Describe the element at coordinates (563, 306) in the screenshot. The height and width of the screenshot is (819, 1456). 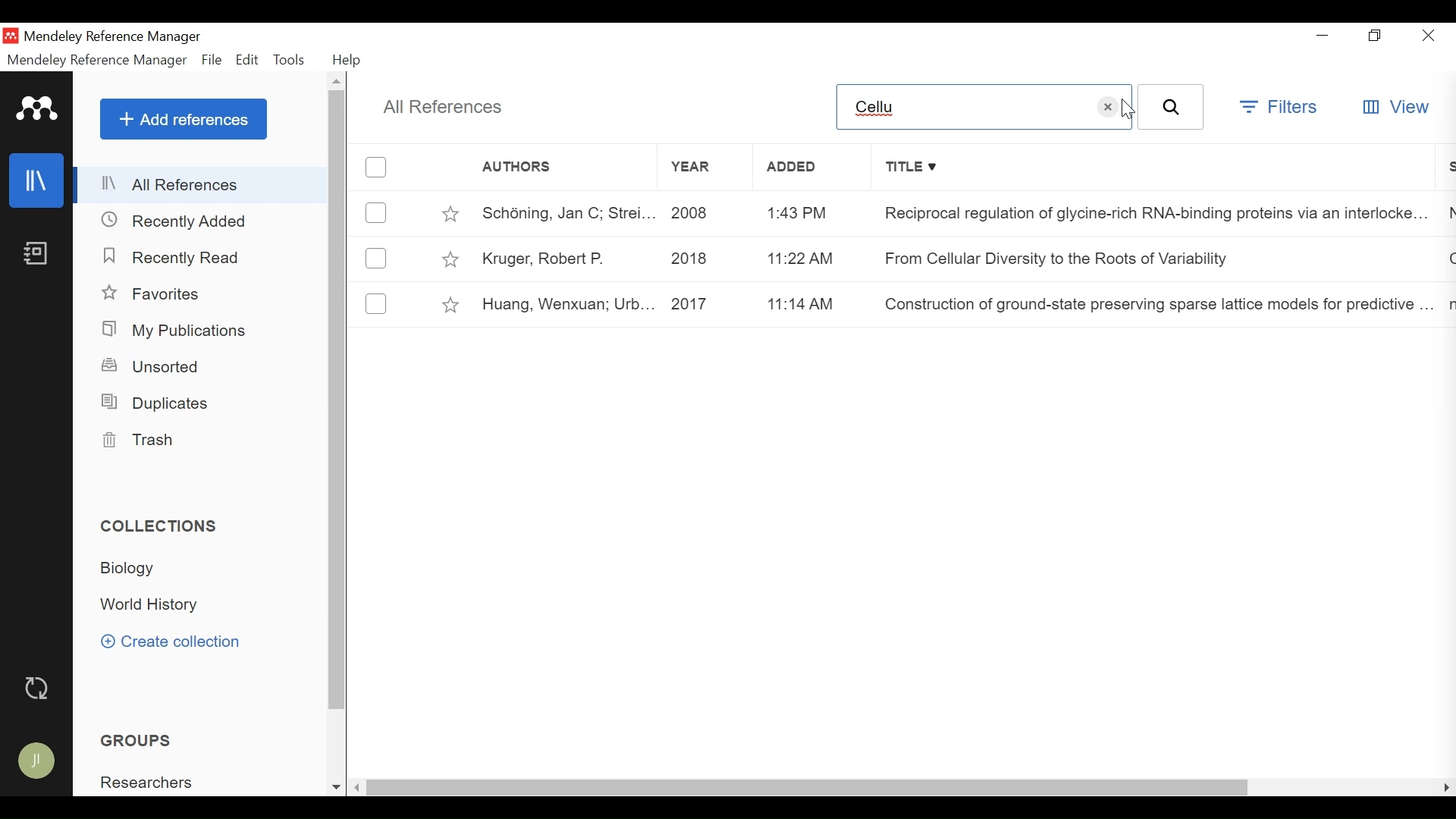
I see `Huang, Wenxuan; Urb...` at that location.